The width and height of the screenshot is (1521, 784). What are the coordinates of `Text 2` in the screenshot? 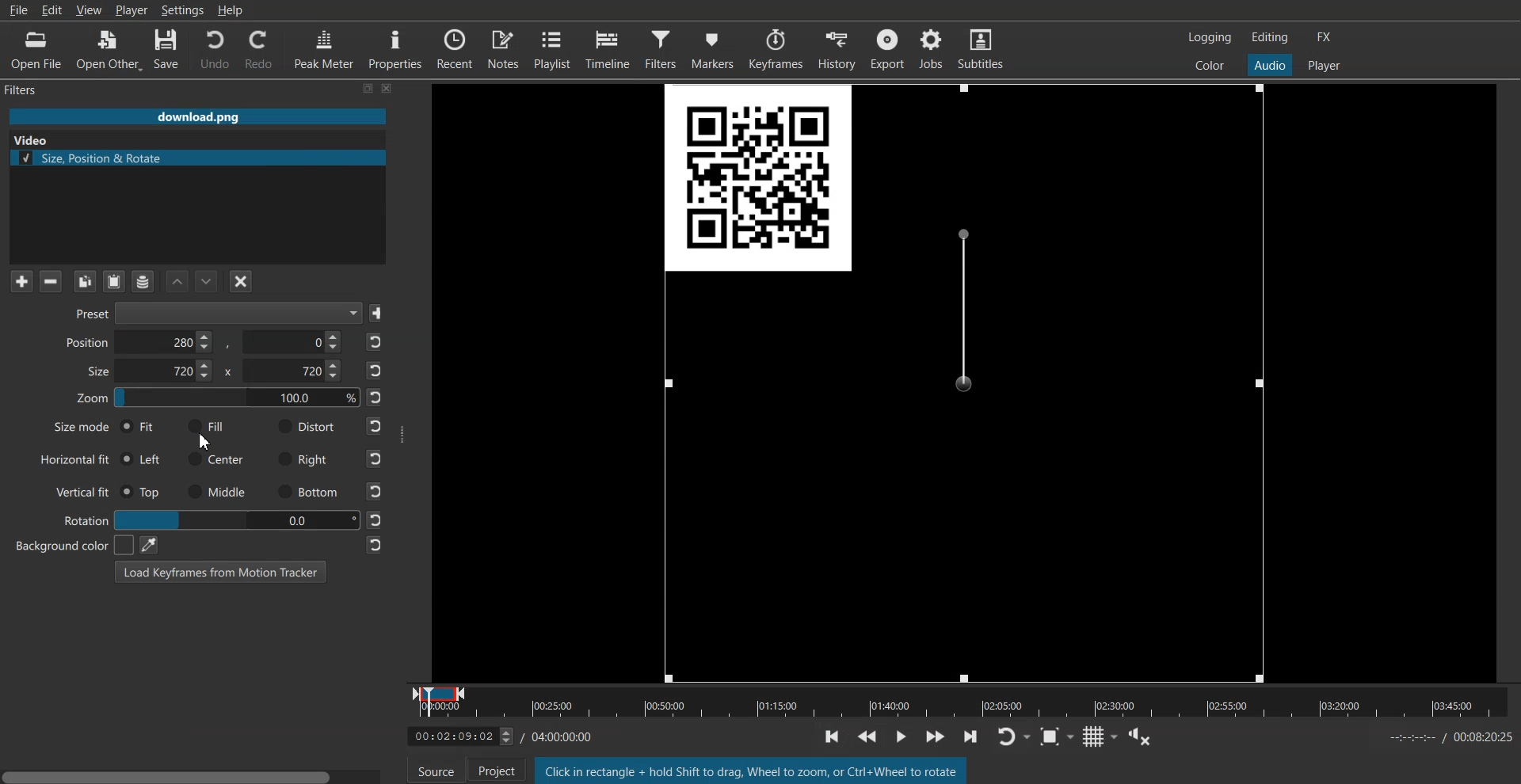 It's located at (750, 770).